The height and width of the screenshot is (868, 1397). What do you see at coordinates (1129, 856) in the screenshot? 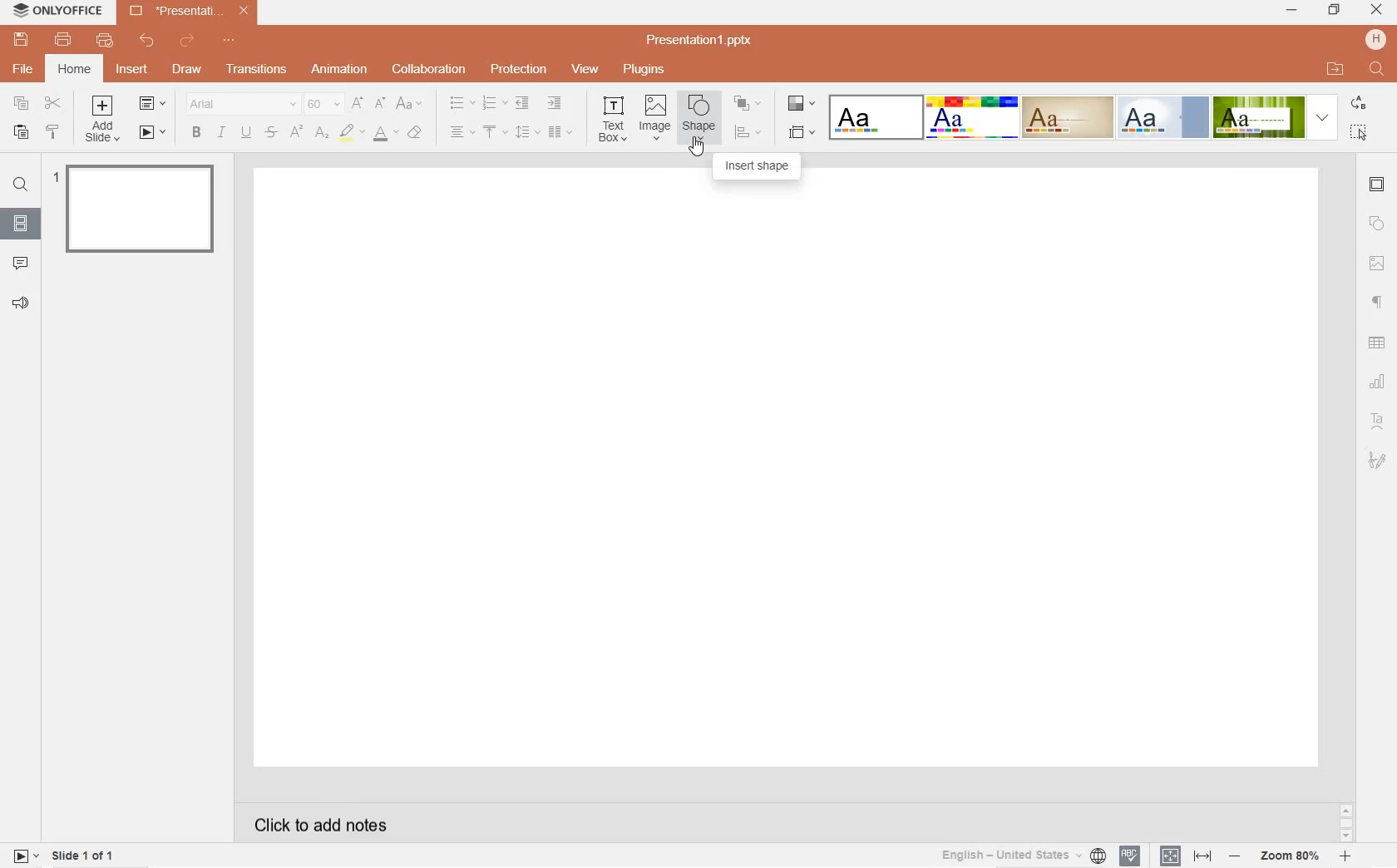
I see `spell checking` at bounding box center [1129, 856].